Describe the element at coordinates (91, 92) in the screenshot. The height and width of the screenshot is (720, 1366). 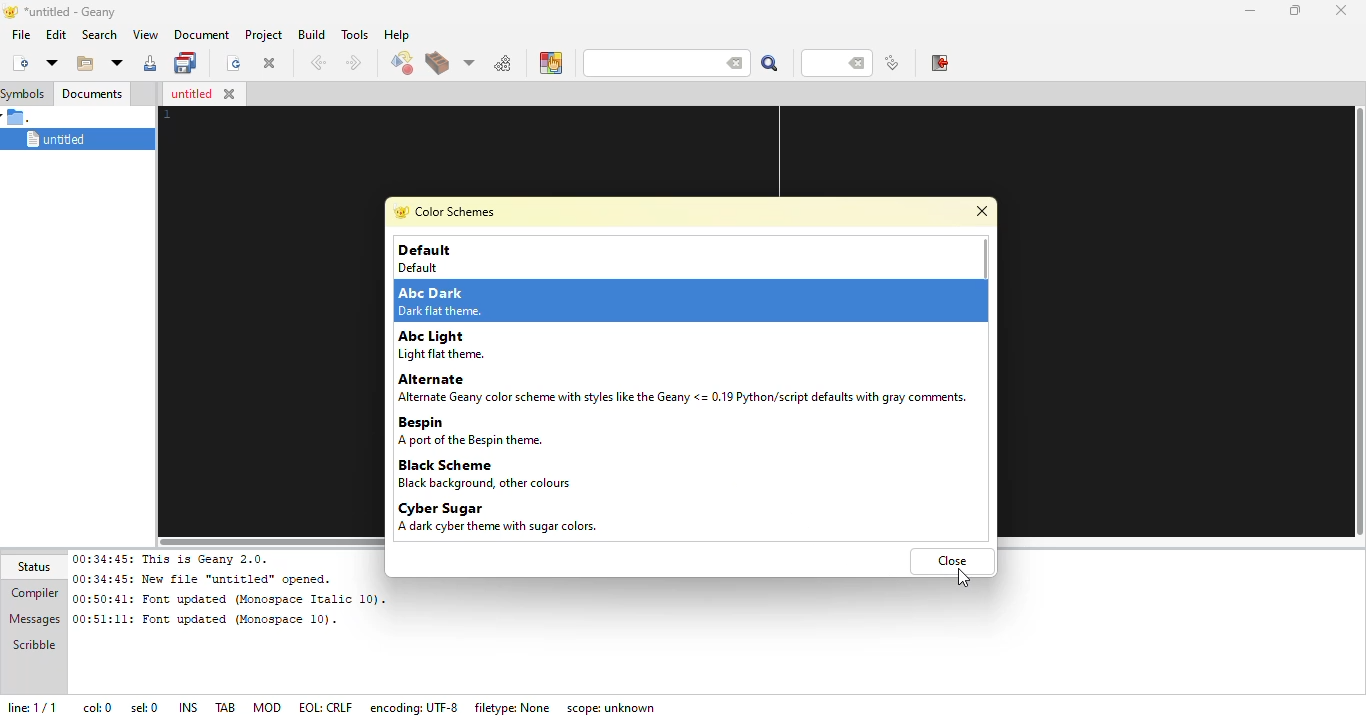
I see `documents` at that location.